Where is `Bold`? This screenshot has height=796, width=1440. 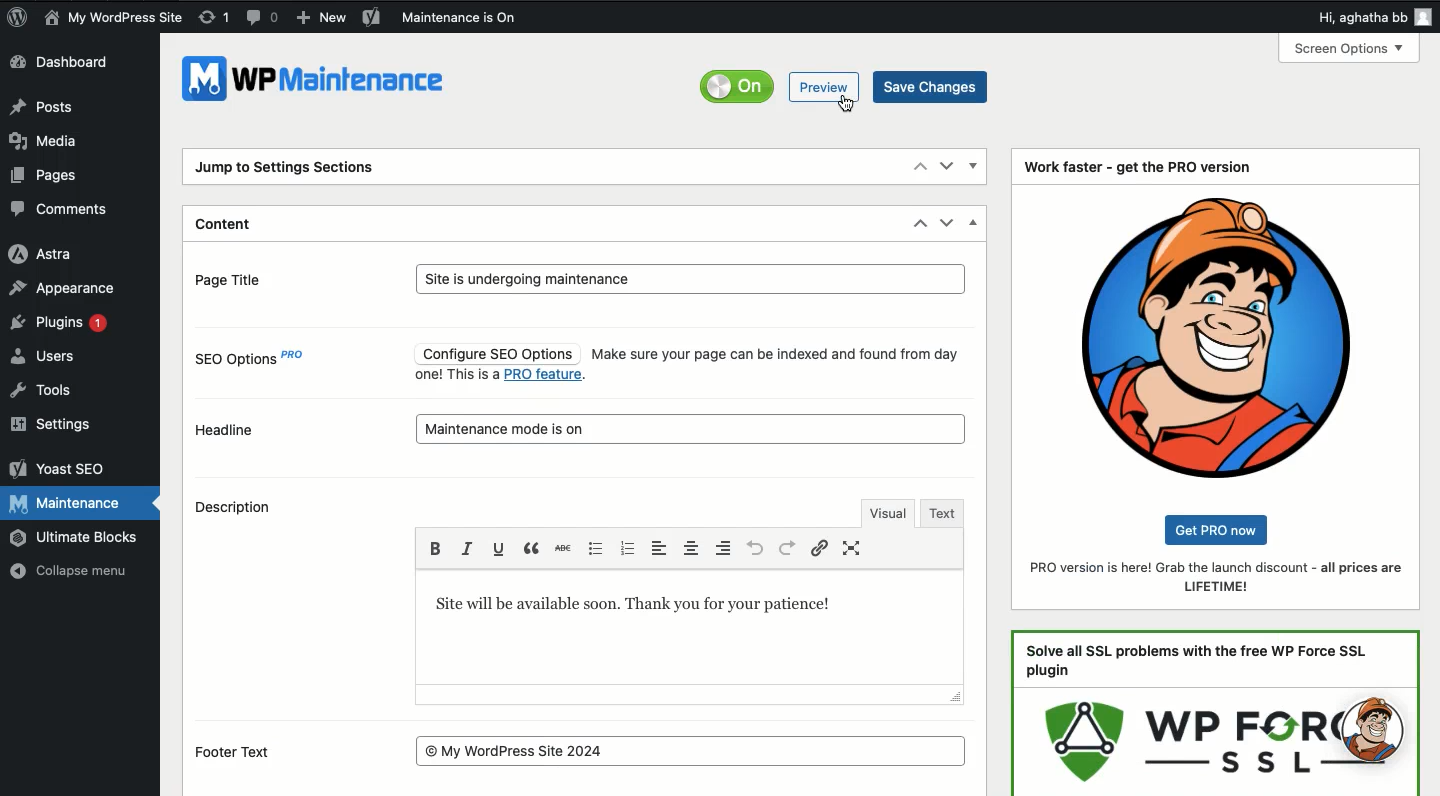 Bold is located at coordinates (439, 546).